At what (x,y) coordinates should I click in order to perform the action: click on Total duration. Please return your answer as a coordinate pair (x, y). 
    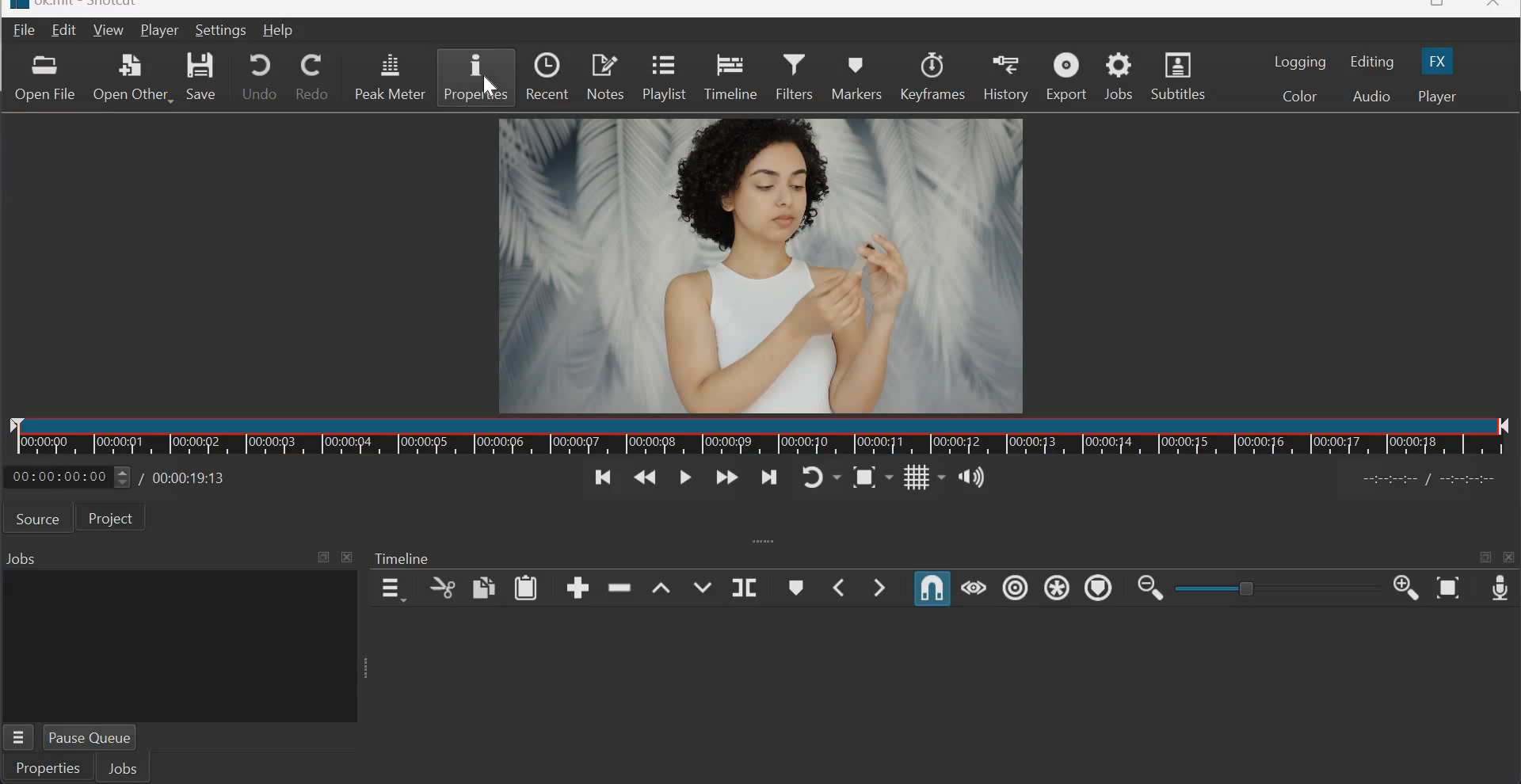
    Looking at the image, I should click on (191, 478).